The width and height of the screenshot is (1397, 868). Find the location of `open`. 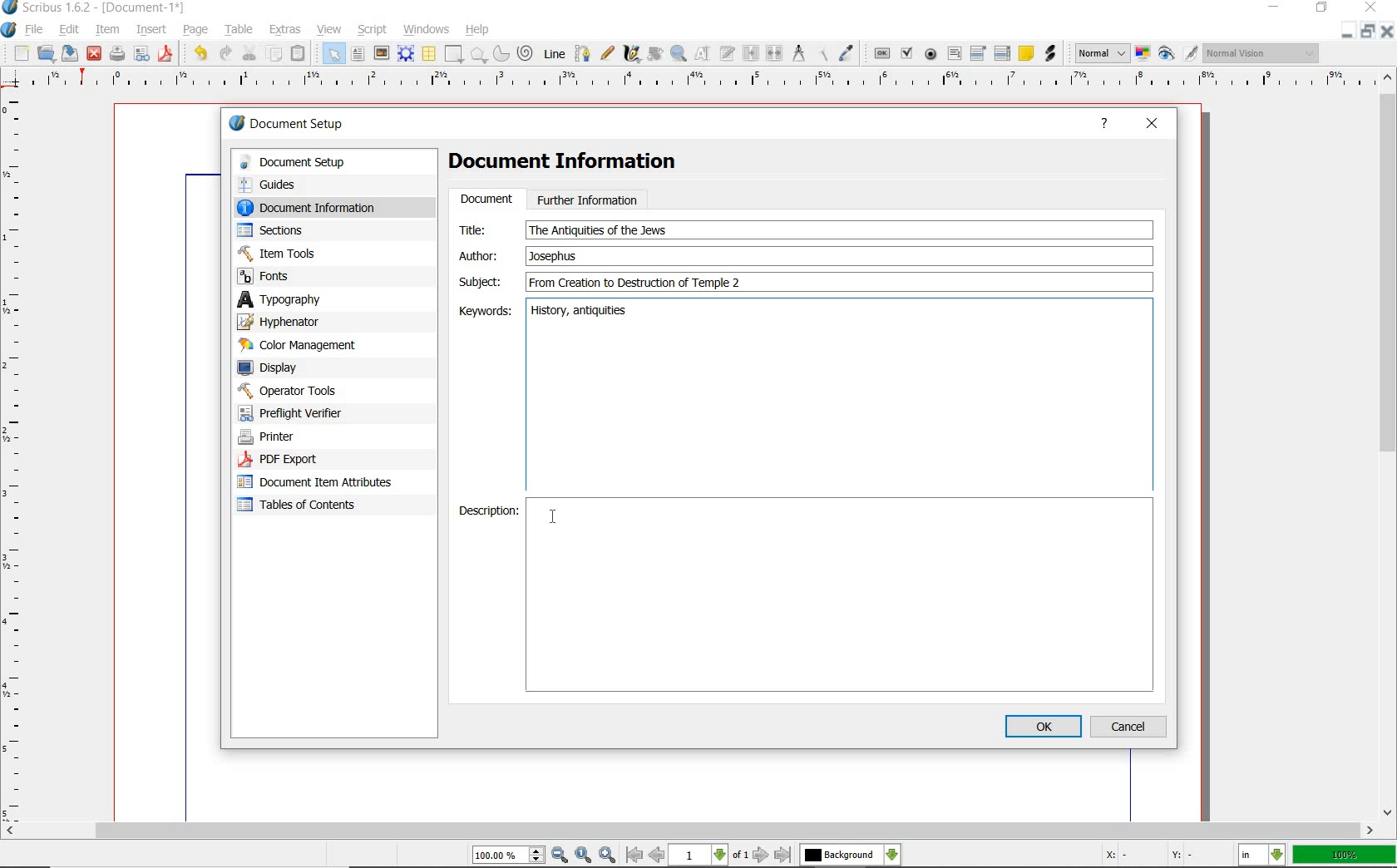

open is located at coordinates (47, 53).